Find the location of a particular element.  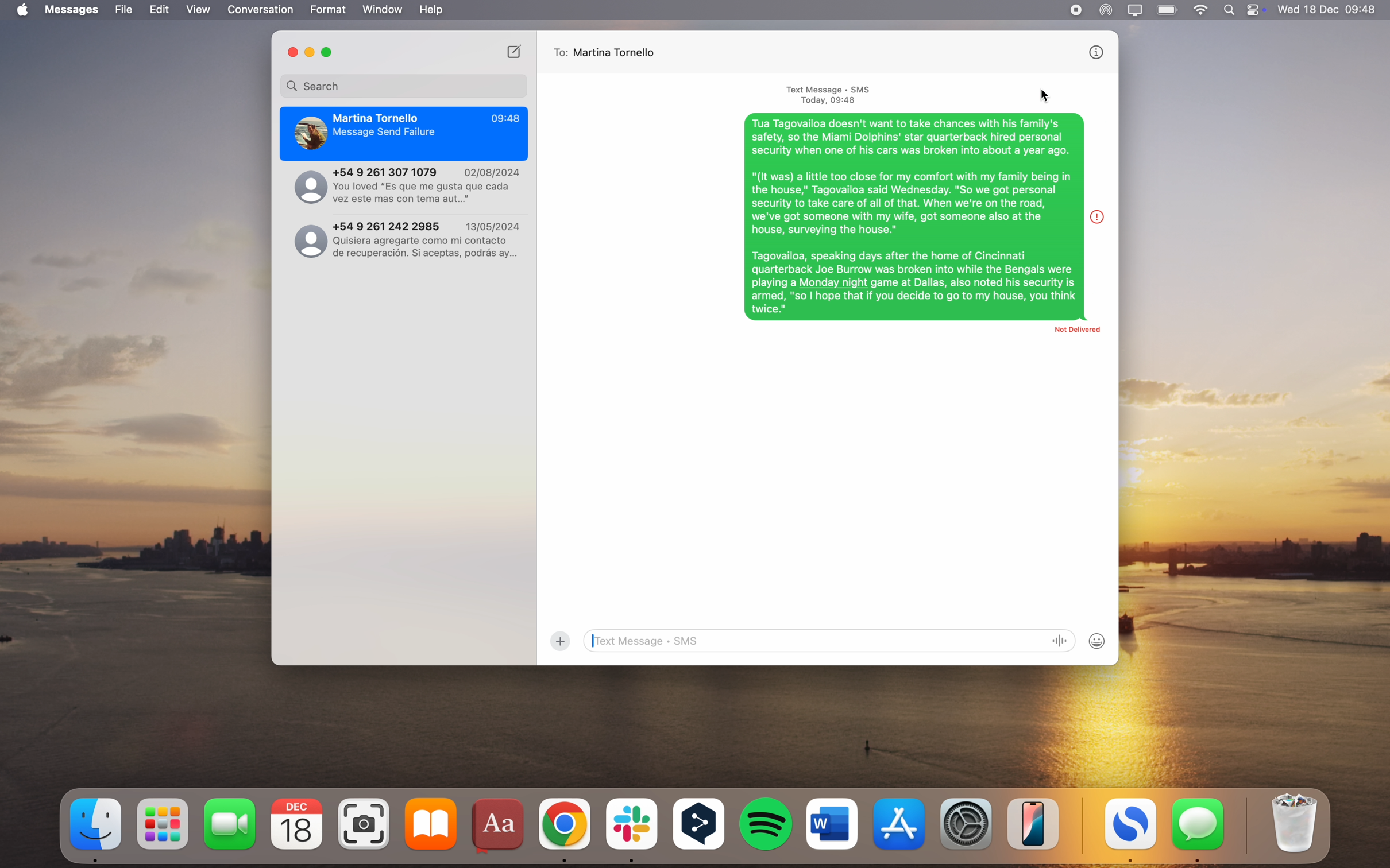

settings is located at coordinates (968, 822).